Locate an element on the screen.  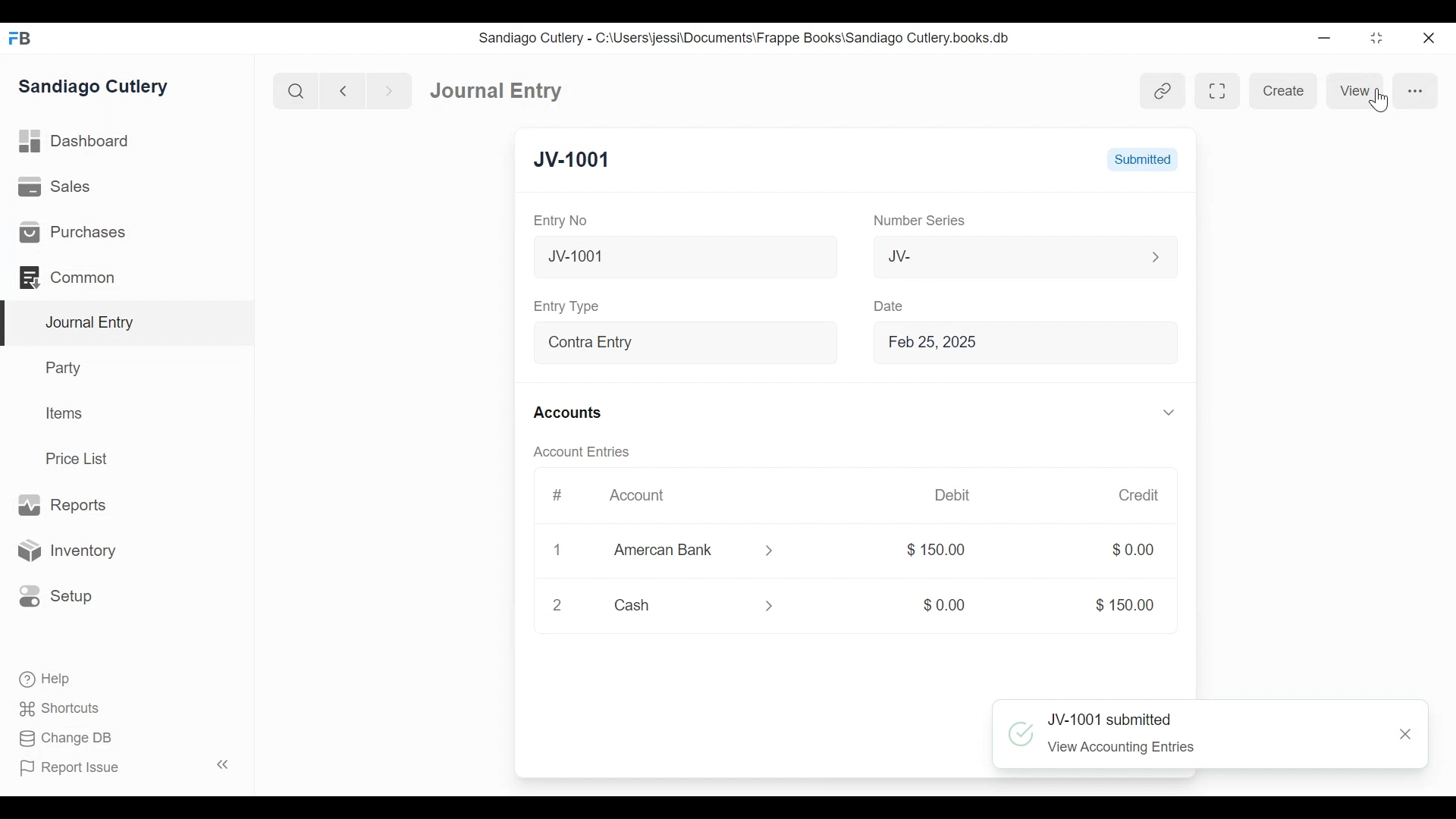
Reports is located at coordinates (61, 506).